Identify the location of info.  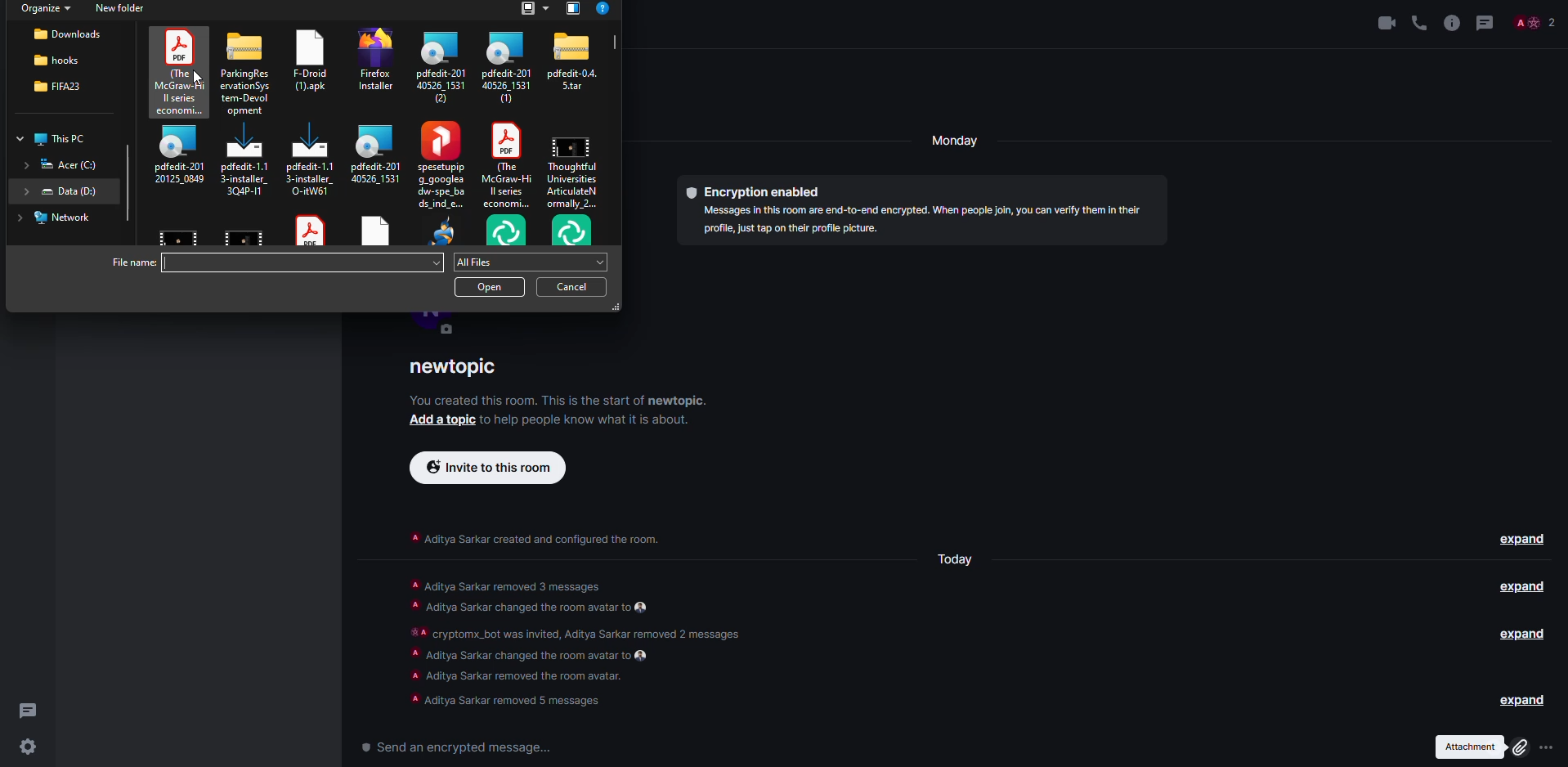
(593, 423).